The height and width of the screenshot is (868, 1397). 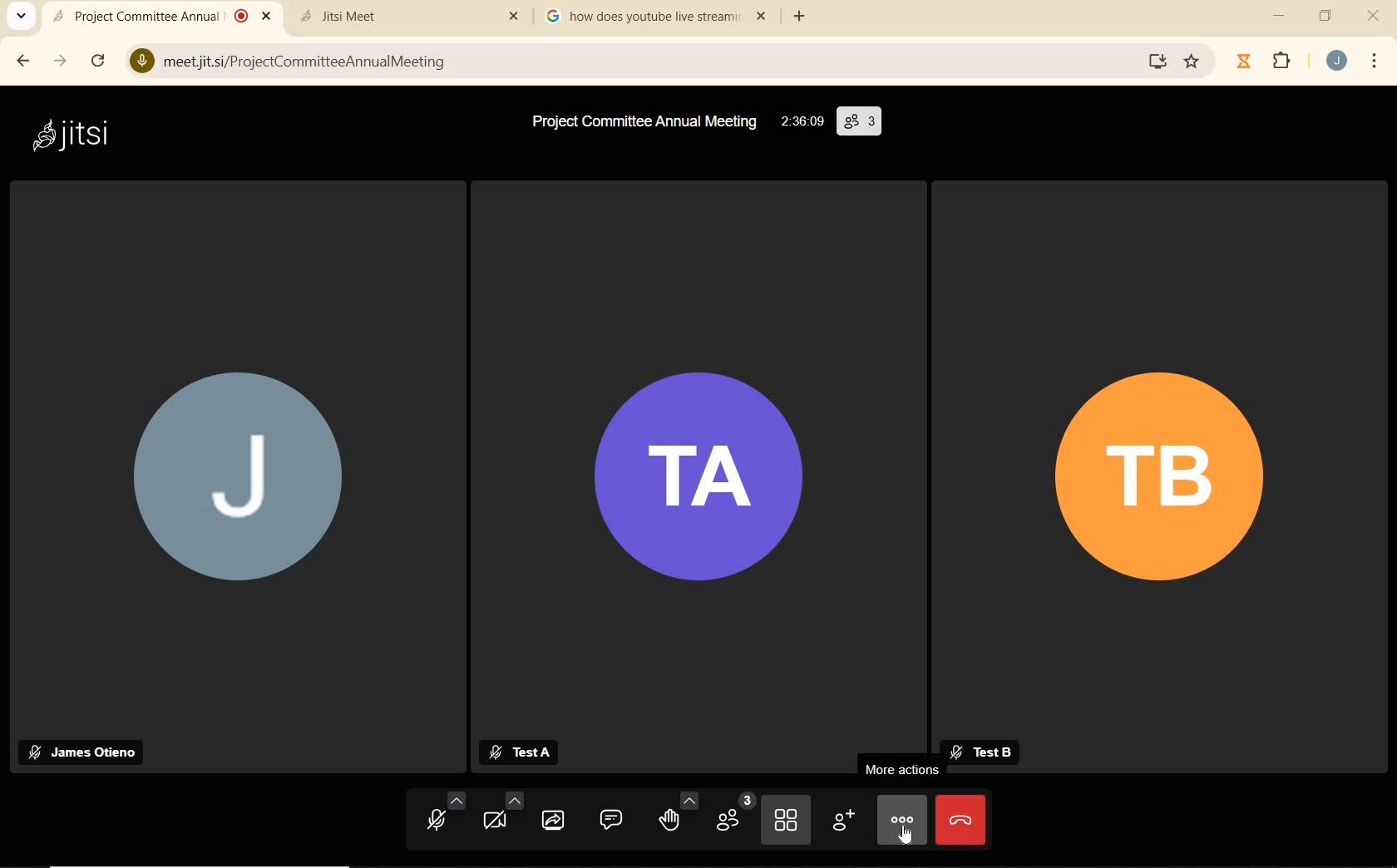 I want to click on EXTENSIONS, so click(x=1286, y=63).